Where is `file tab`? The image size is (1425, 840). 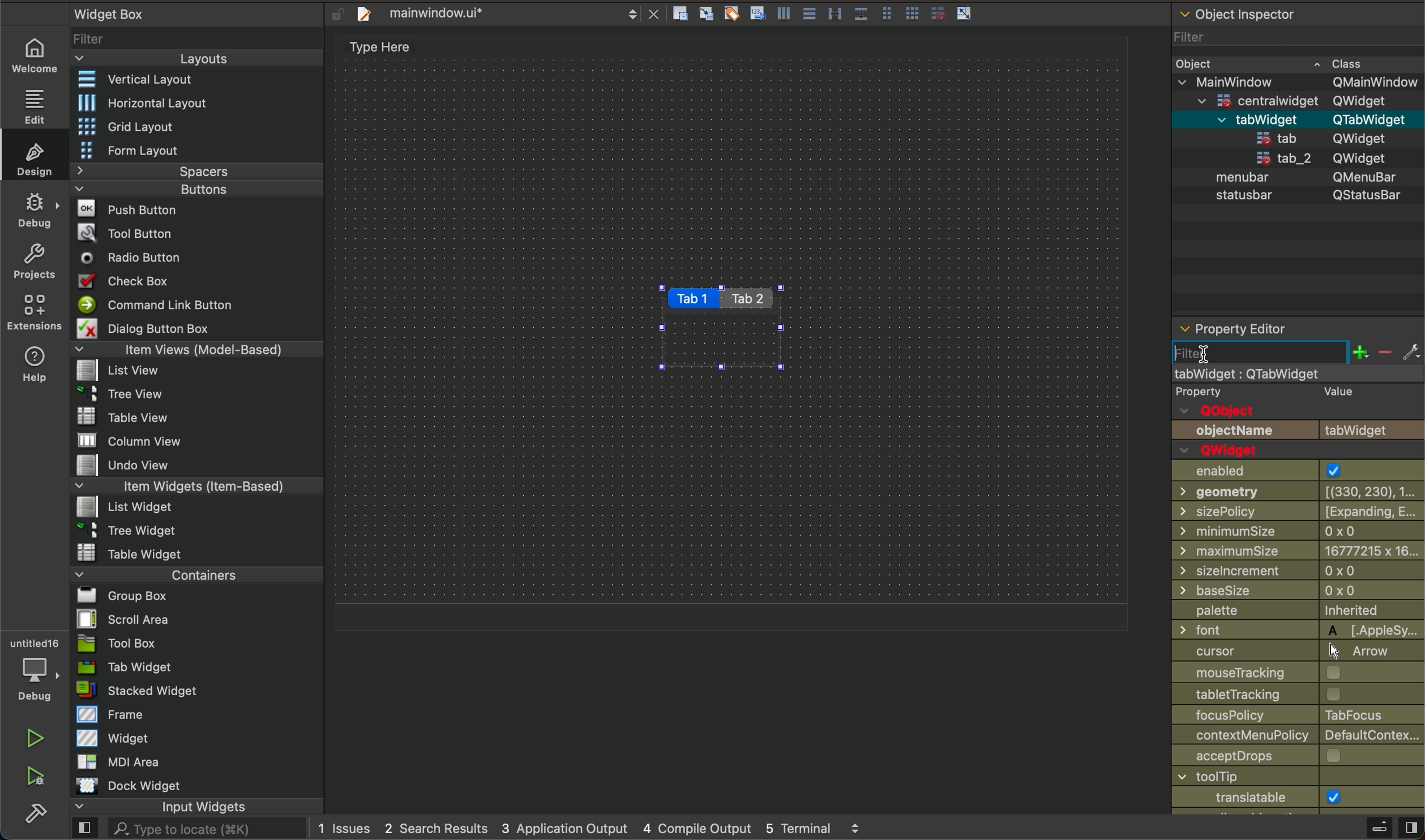
file tab is located at coordinates (502, 14).